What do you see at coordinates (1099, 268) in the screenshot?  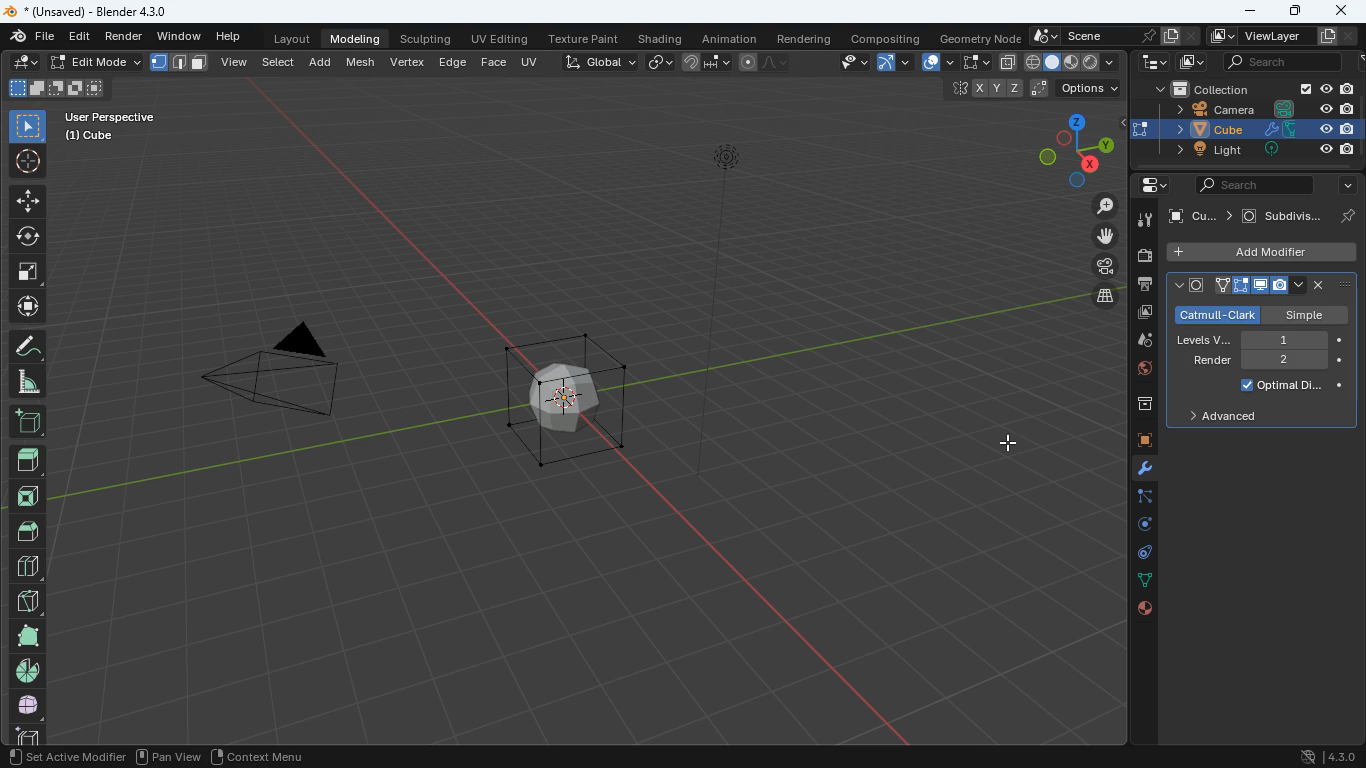 I see `film` at bounding box center [1099, 268].